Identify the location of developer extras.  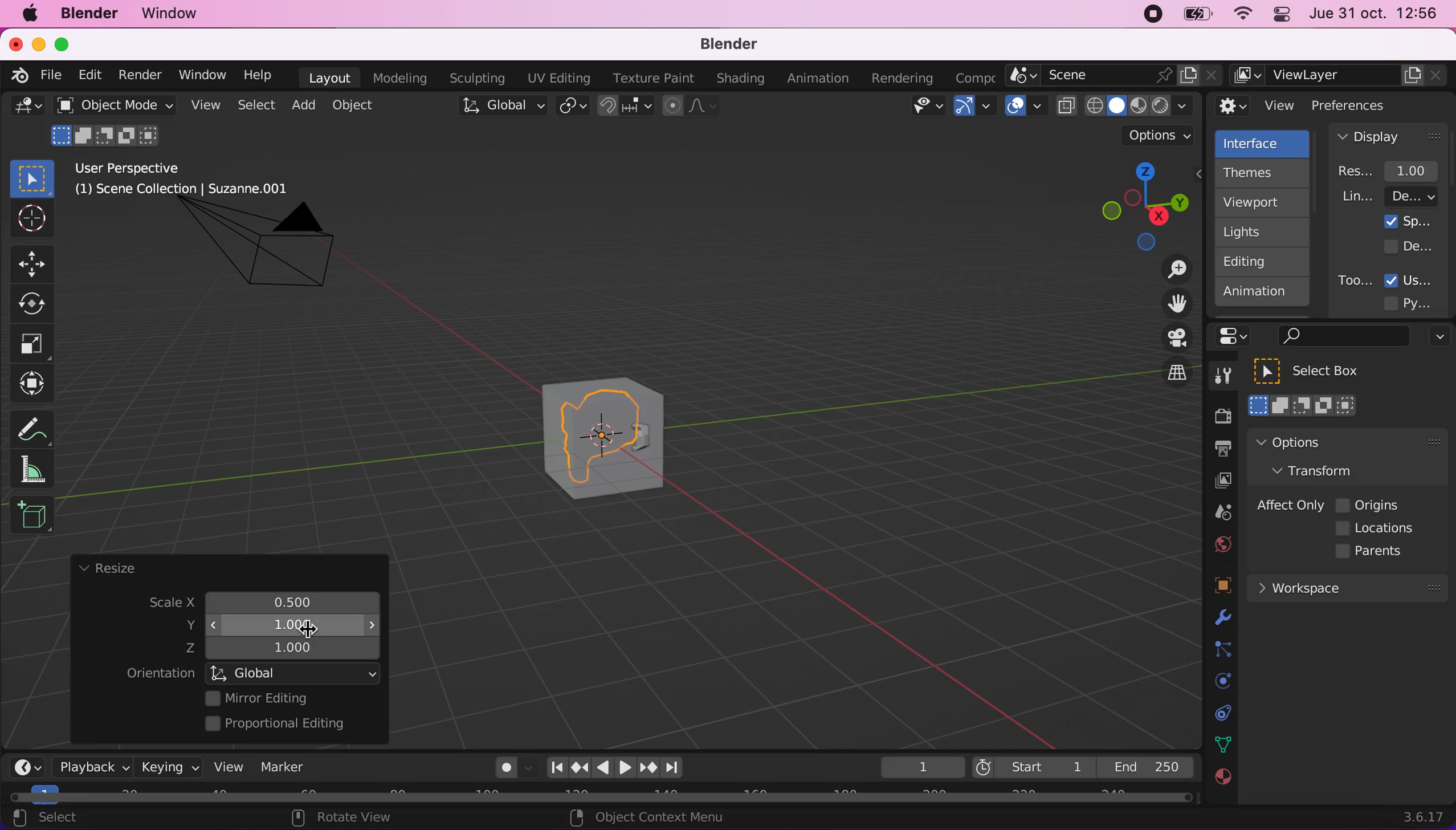
(1410, 246).